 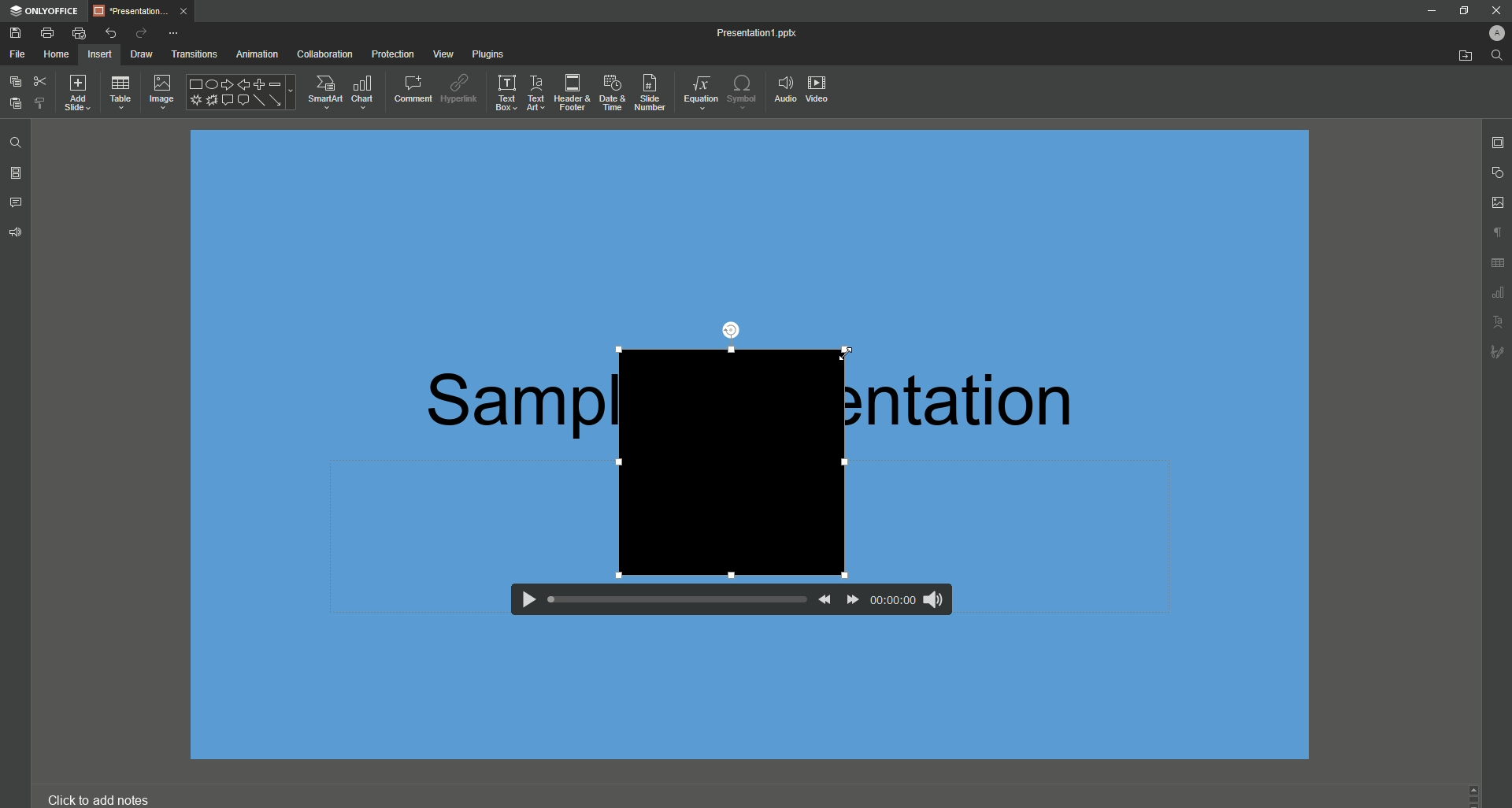 I want to click on Header and Footer, so click(x=572, y=92).